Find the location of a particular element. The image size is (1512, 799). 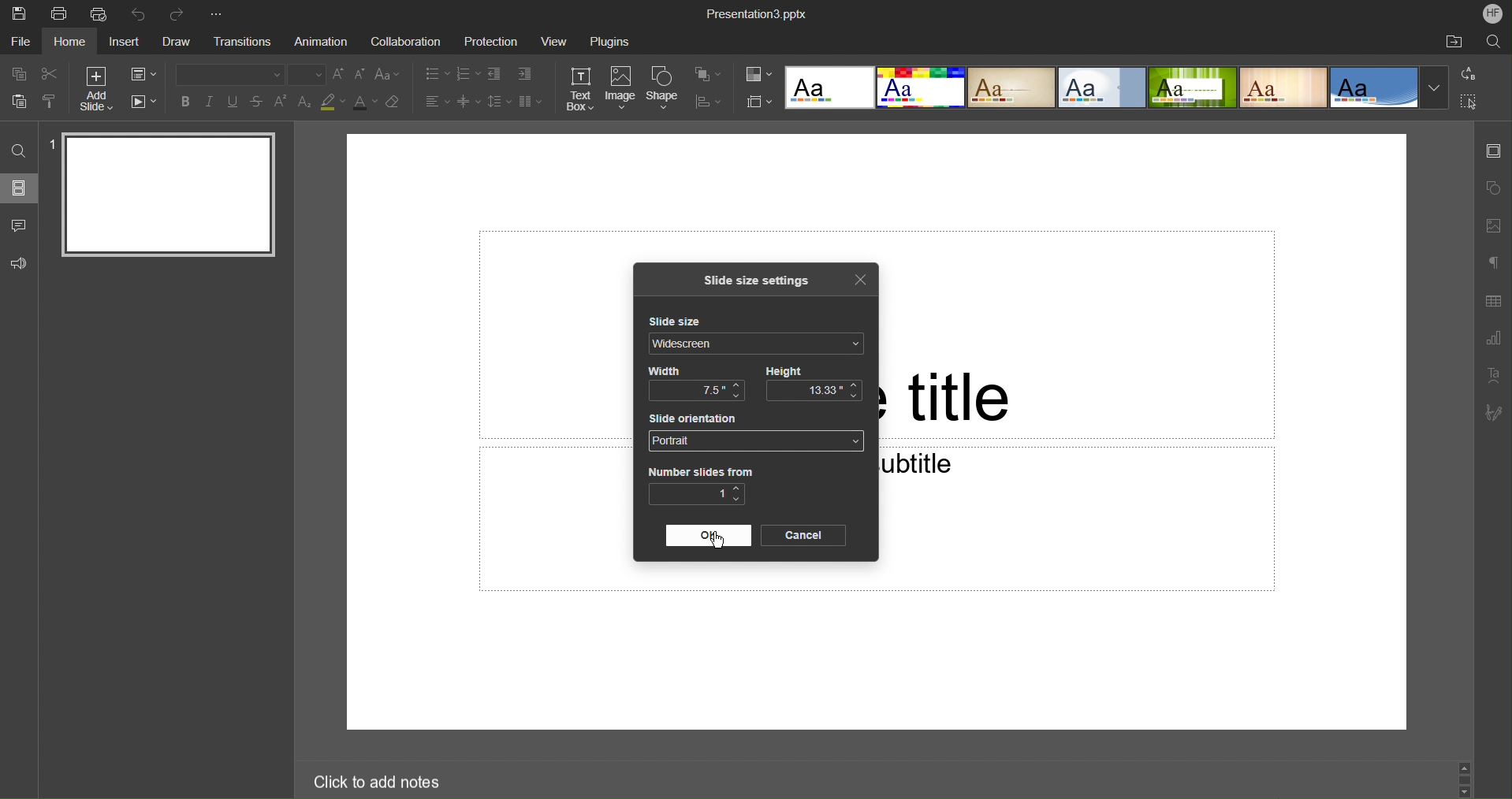

Scroll bar is located at coordinates (1465, 775).